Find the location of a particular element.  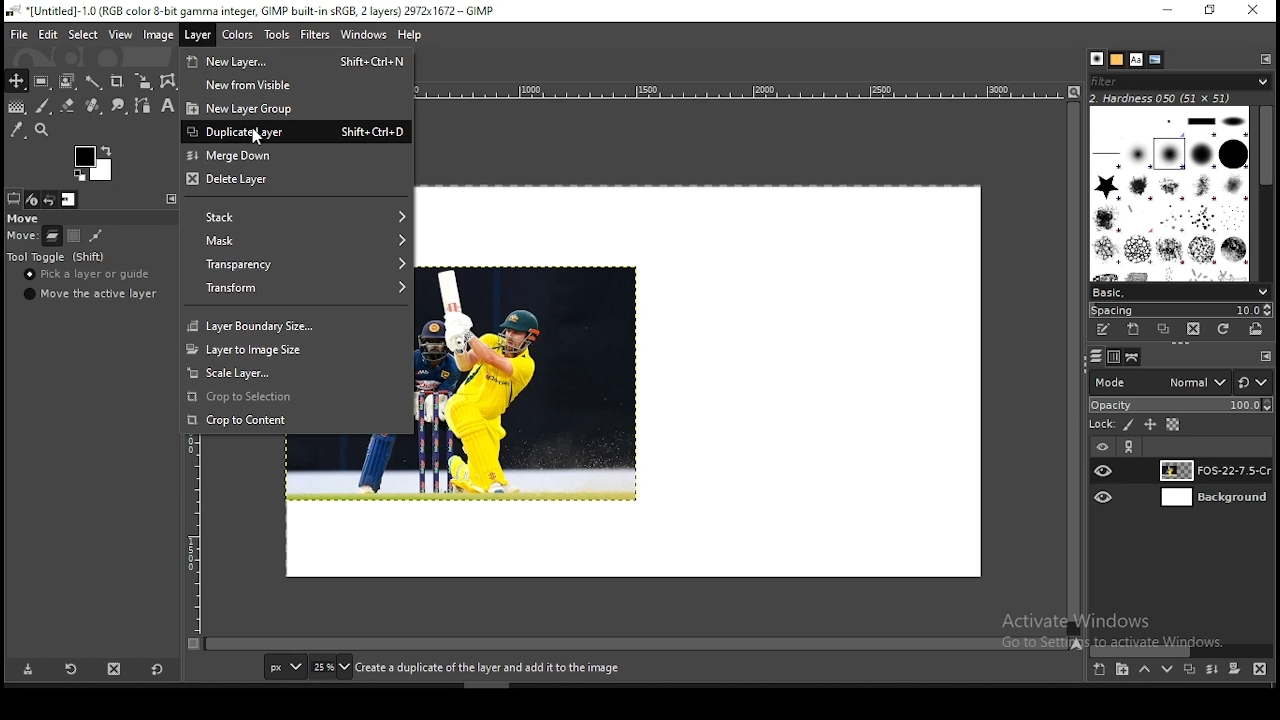

crop tool is located at coordinates (116, 80).